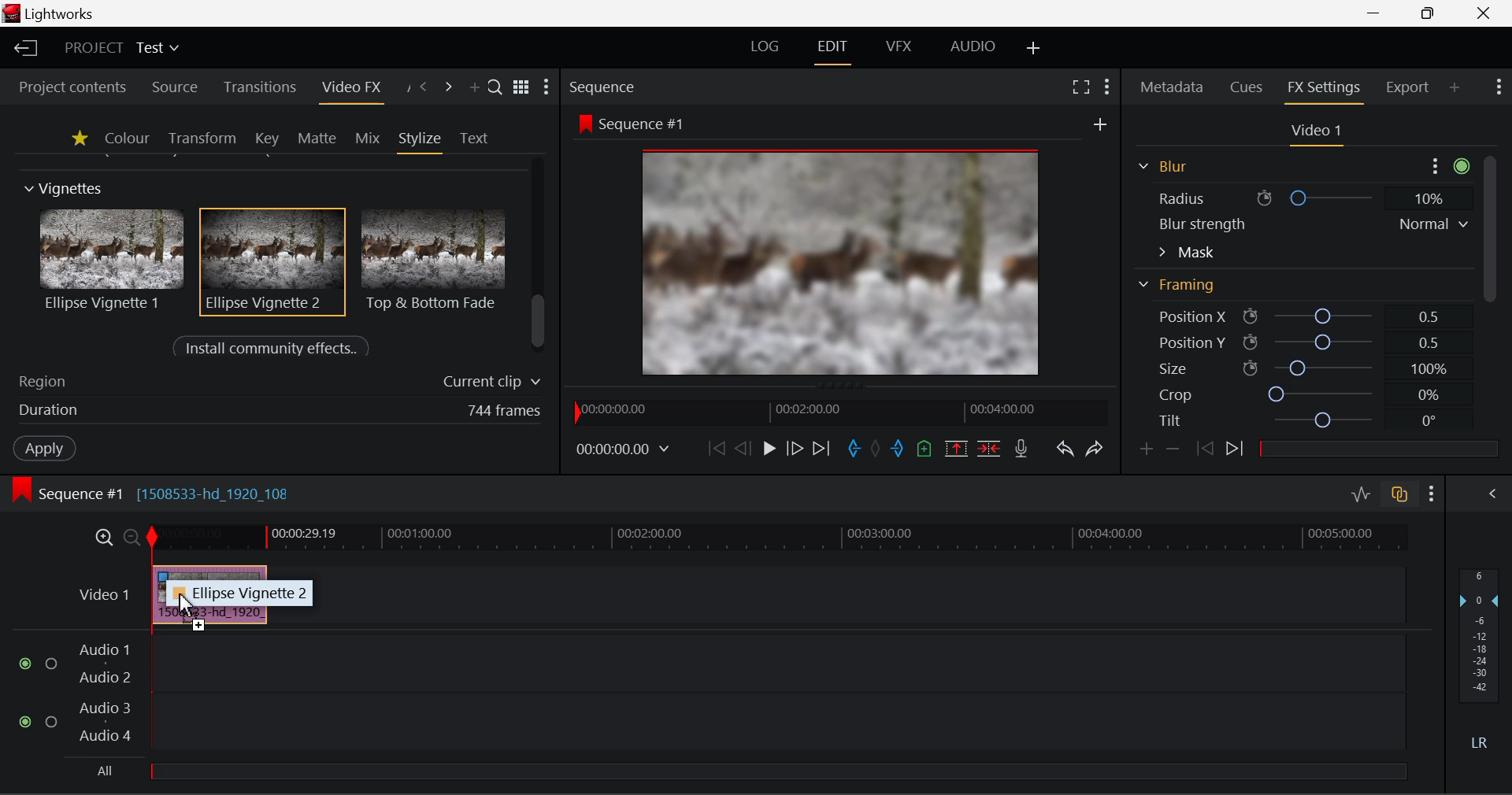  What do you see at coordinates (899, 49) in the screenshot?
I see `VFX Layout` at bounding box center [899, 49].